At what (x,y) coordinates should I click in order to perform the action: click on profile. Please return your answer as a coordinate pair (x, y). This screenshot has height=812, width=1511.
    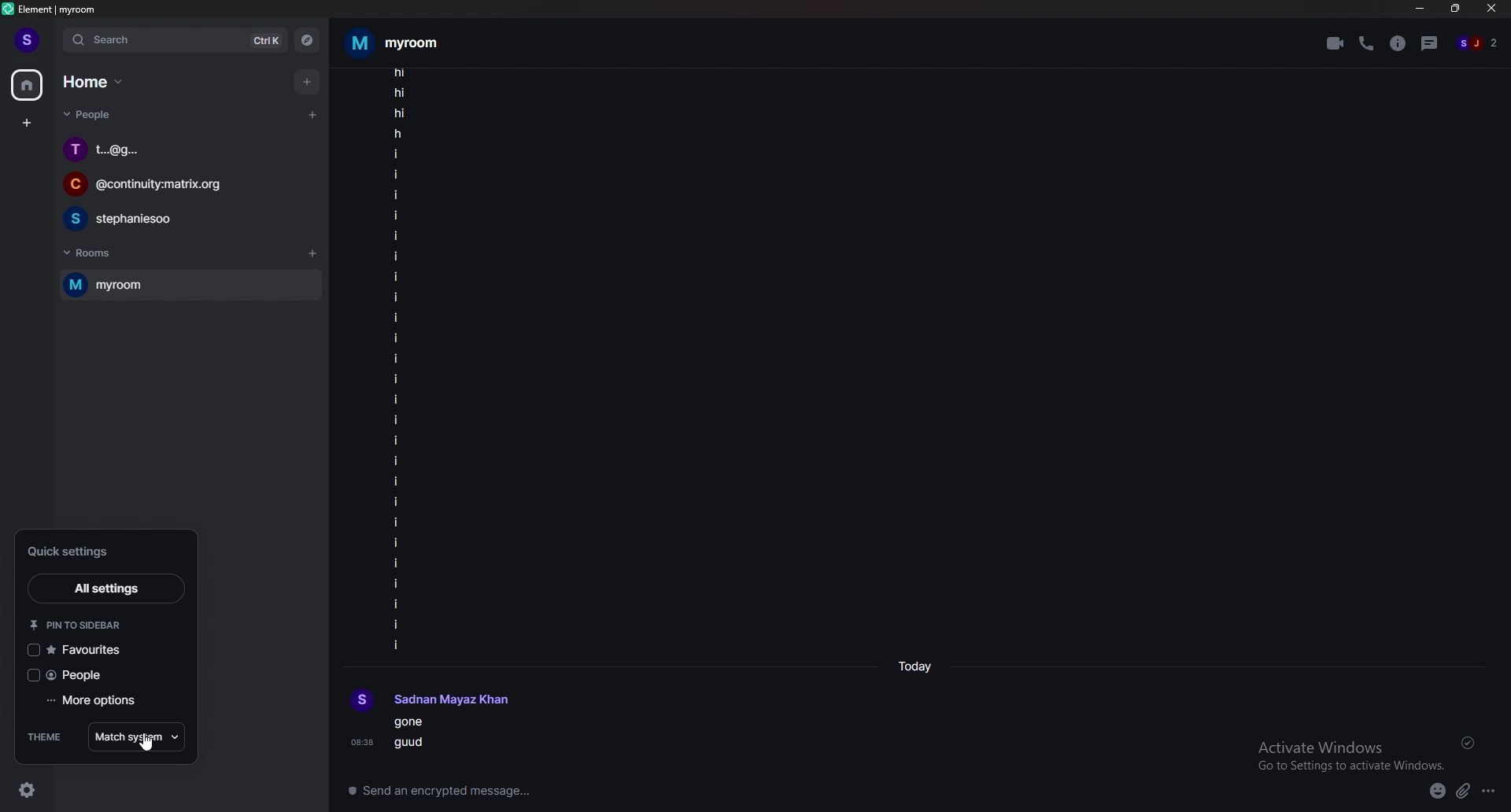
    Looking at the image, I should click on (28, 39).